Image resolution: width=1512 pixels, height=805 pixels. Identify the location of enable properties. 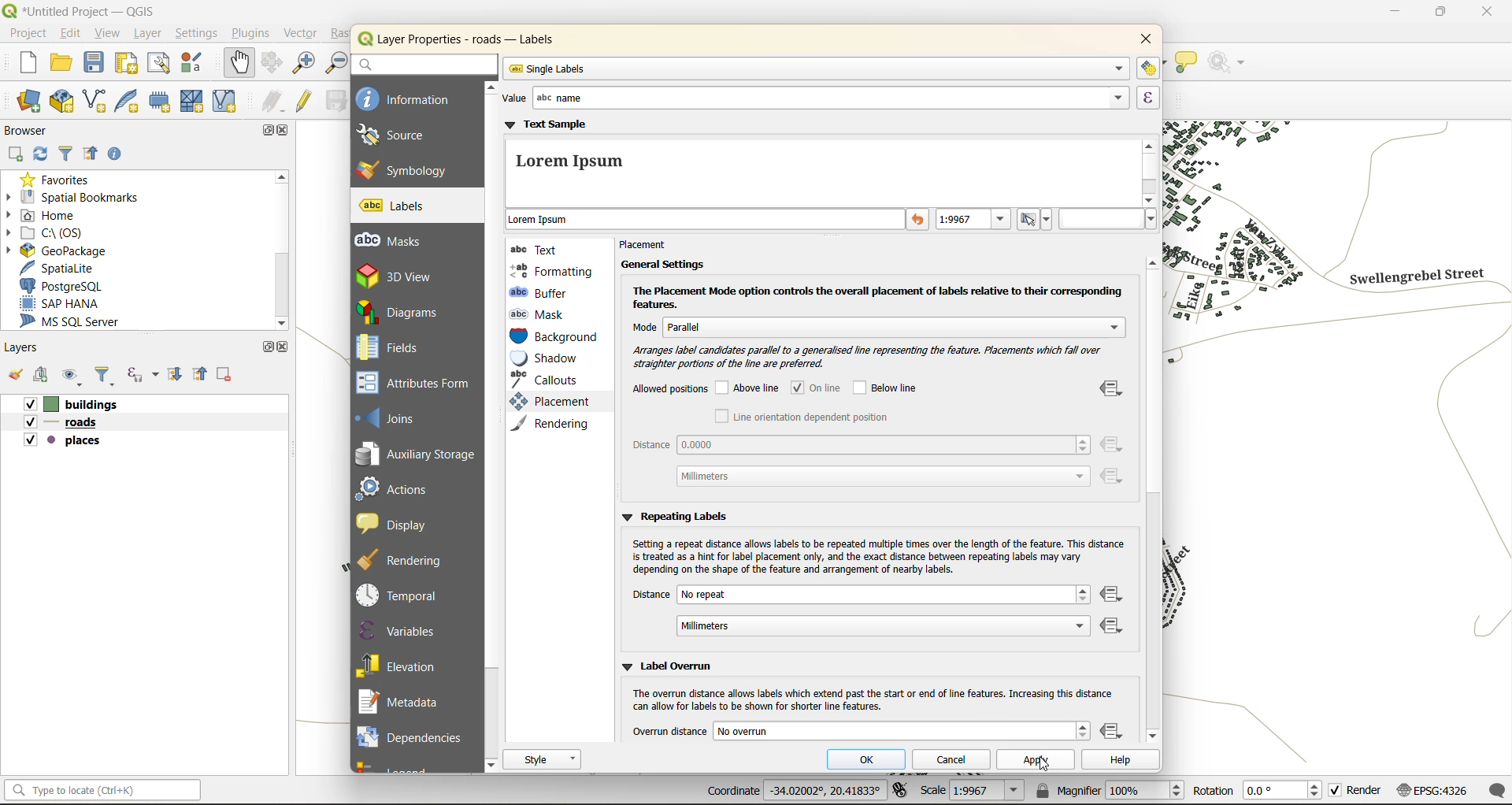
(117, 154).